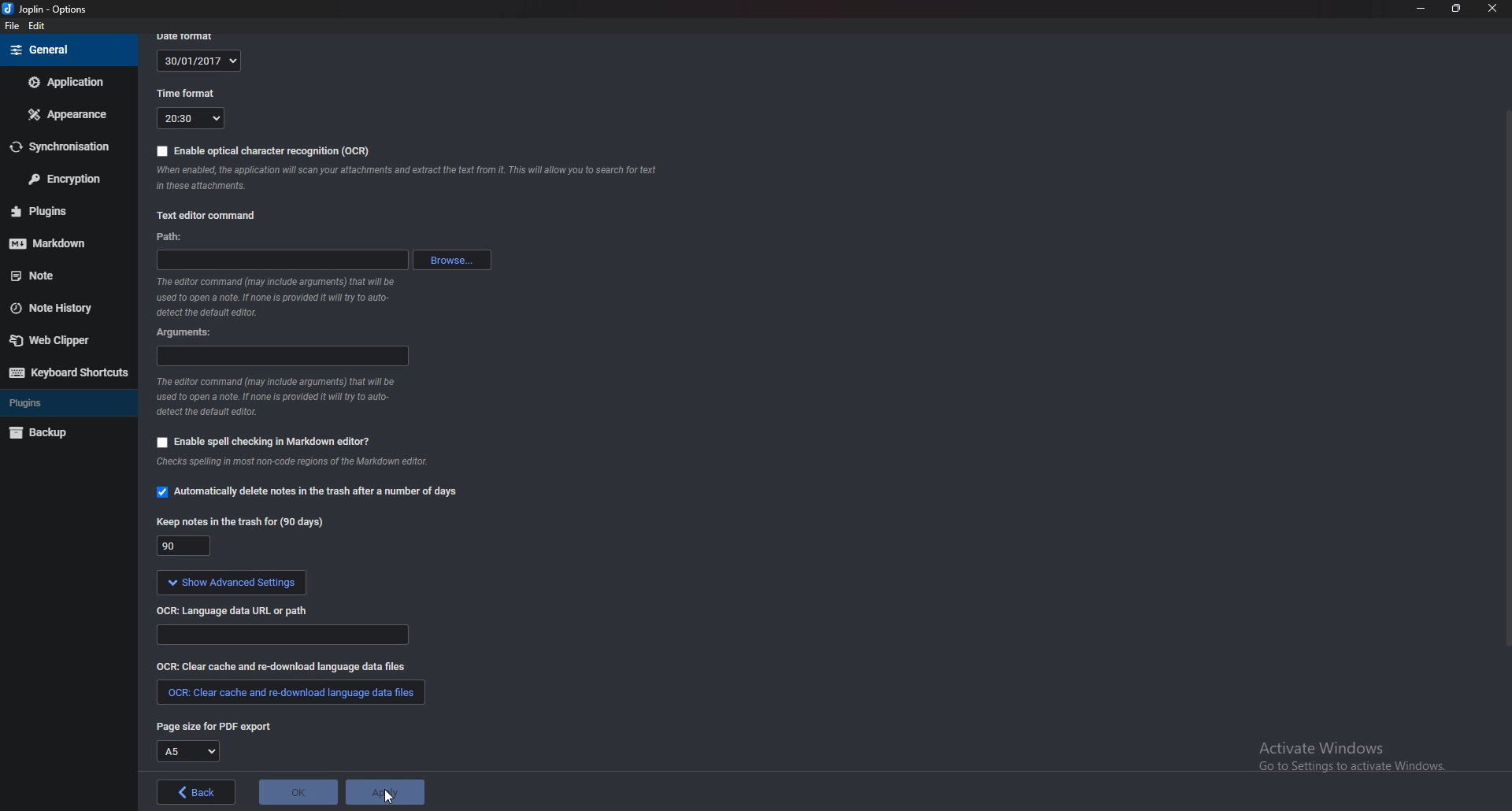 Image resolution: width=1512 pixels, height=811 pixels. Describe the element at coordinates (51, 9) in the screenshot. I see `joplin` at that location.